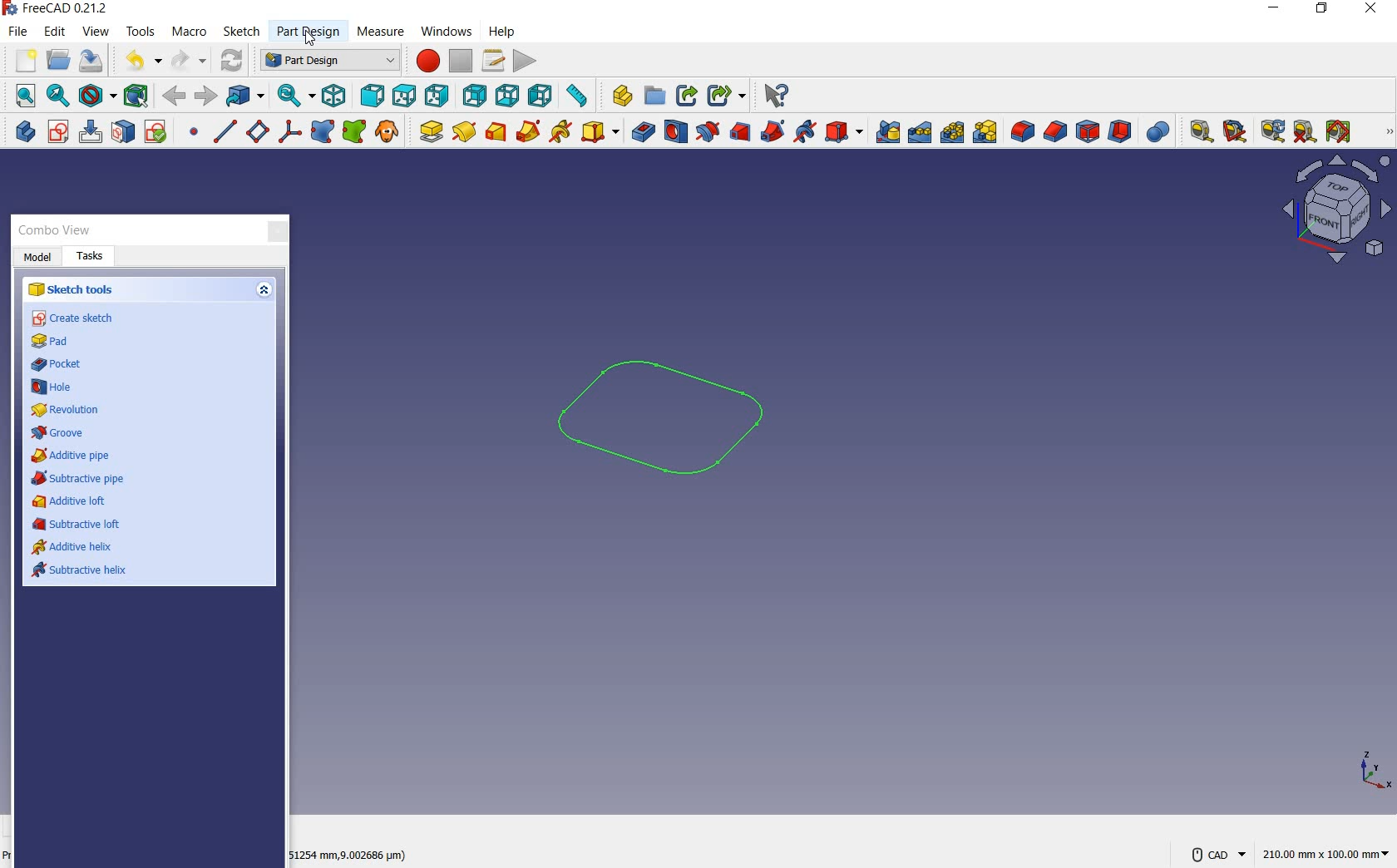 This screenshot has width=1397, height=868. Describe the element at coordinates (1377, 774) in the screenshot. I see `xyz points` at that location.